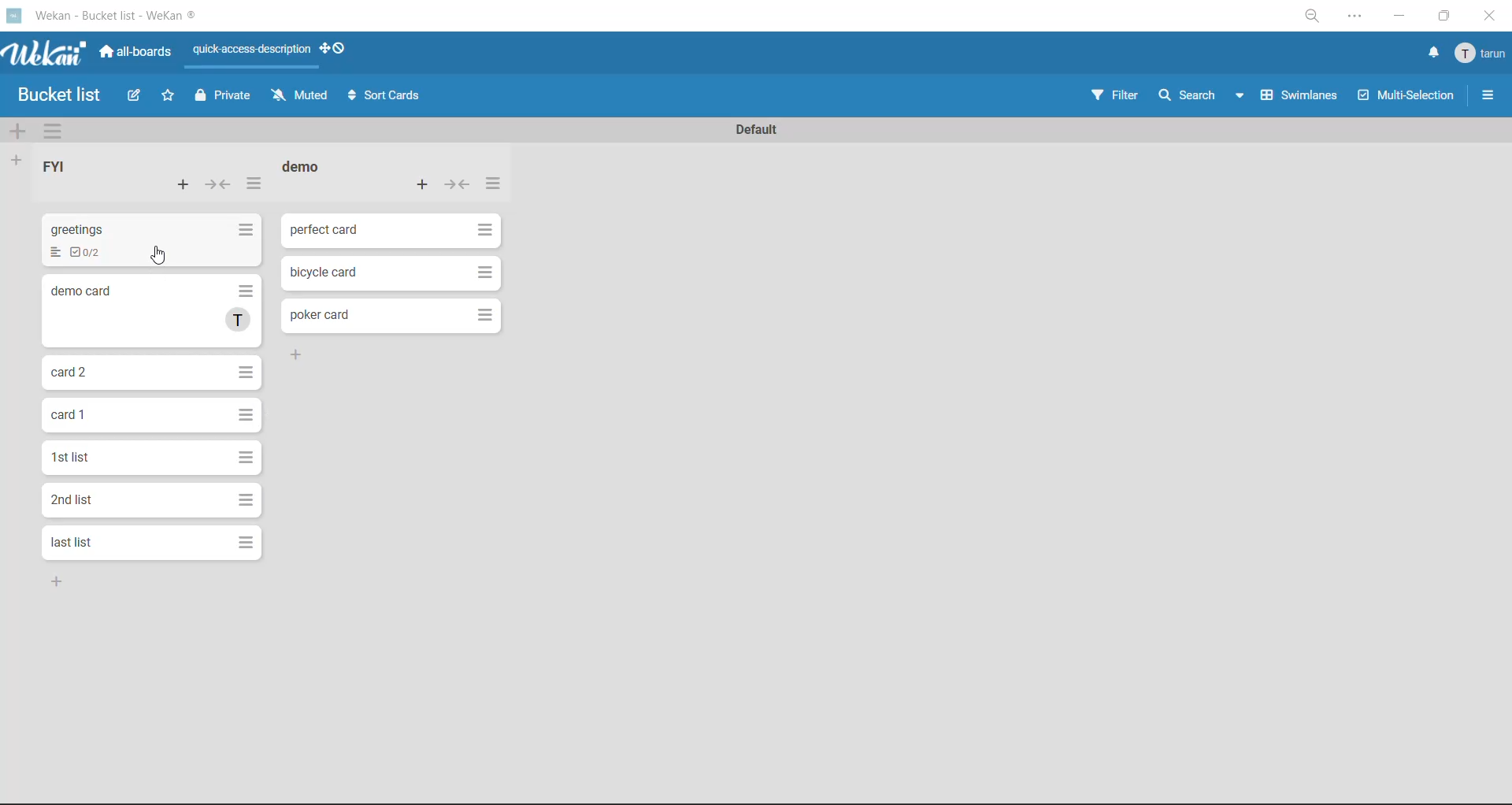 Image resolution: width=1512 pixels, height=805 pixels. What do you see at coordinates (387, 95) in the screenshot?
I see `sort cards` at bounding box center [387, 95].